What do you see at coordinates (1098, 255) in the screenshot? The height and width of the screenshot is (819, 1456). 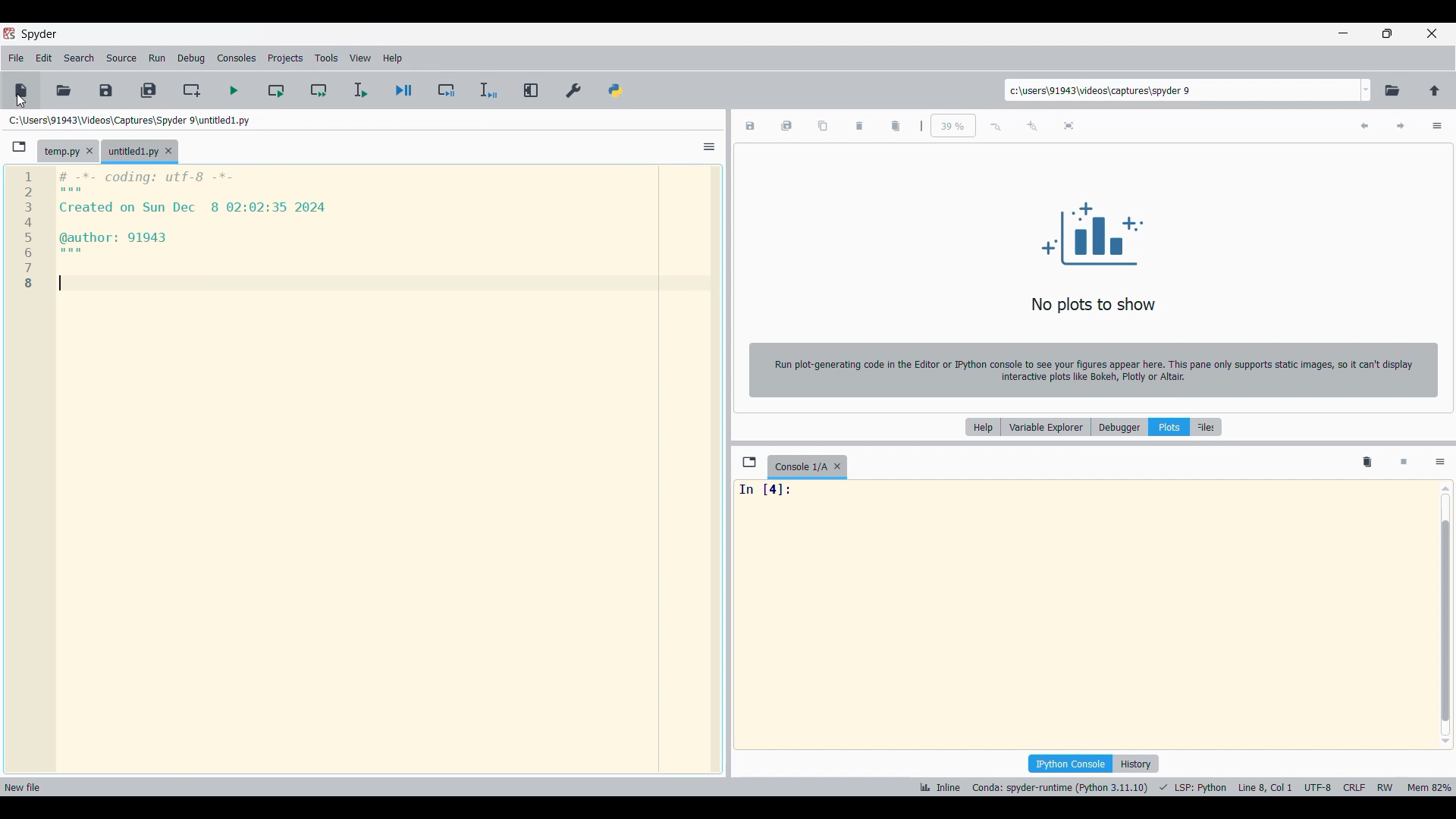 I see `No plots to show` at bounding box center [1098, 255].